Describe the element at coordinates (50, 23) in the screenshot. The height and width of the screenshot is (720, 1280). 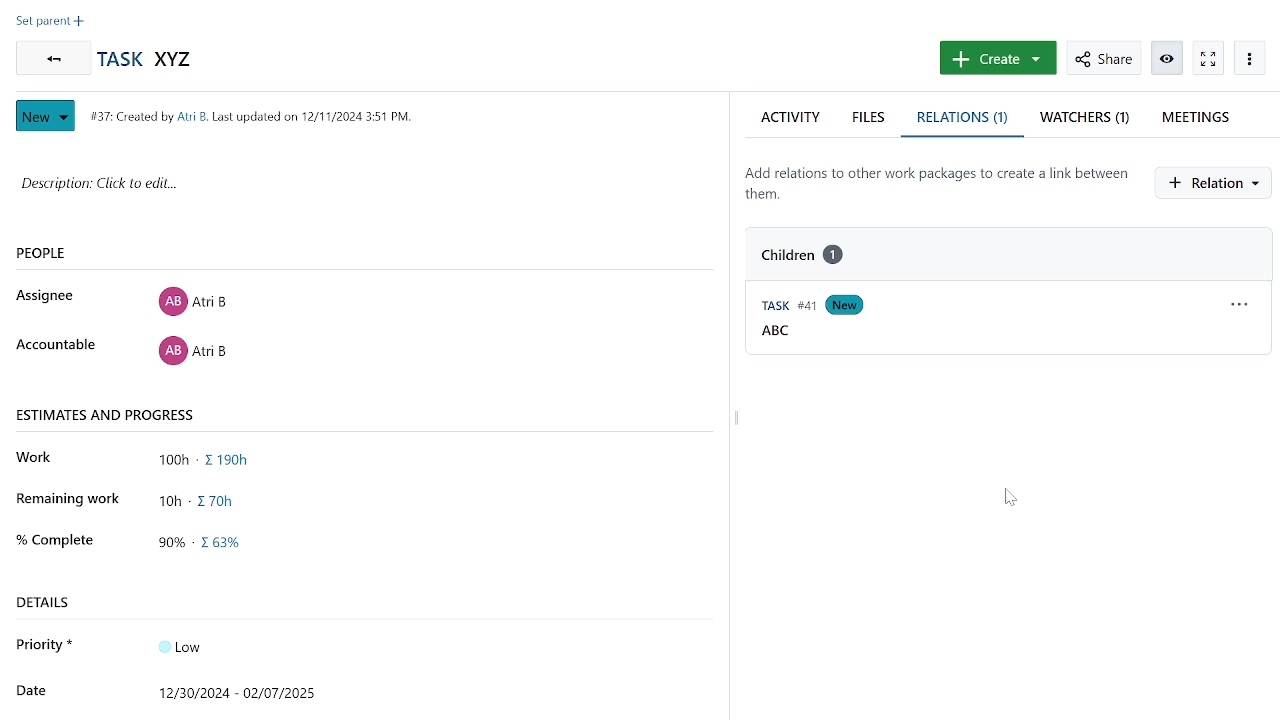
I see `set preset` at that location.